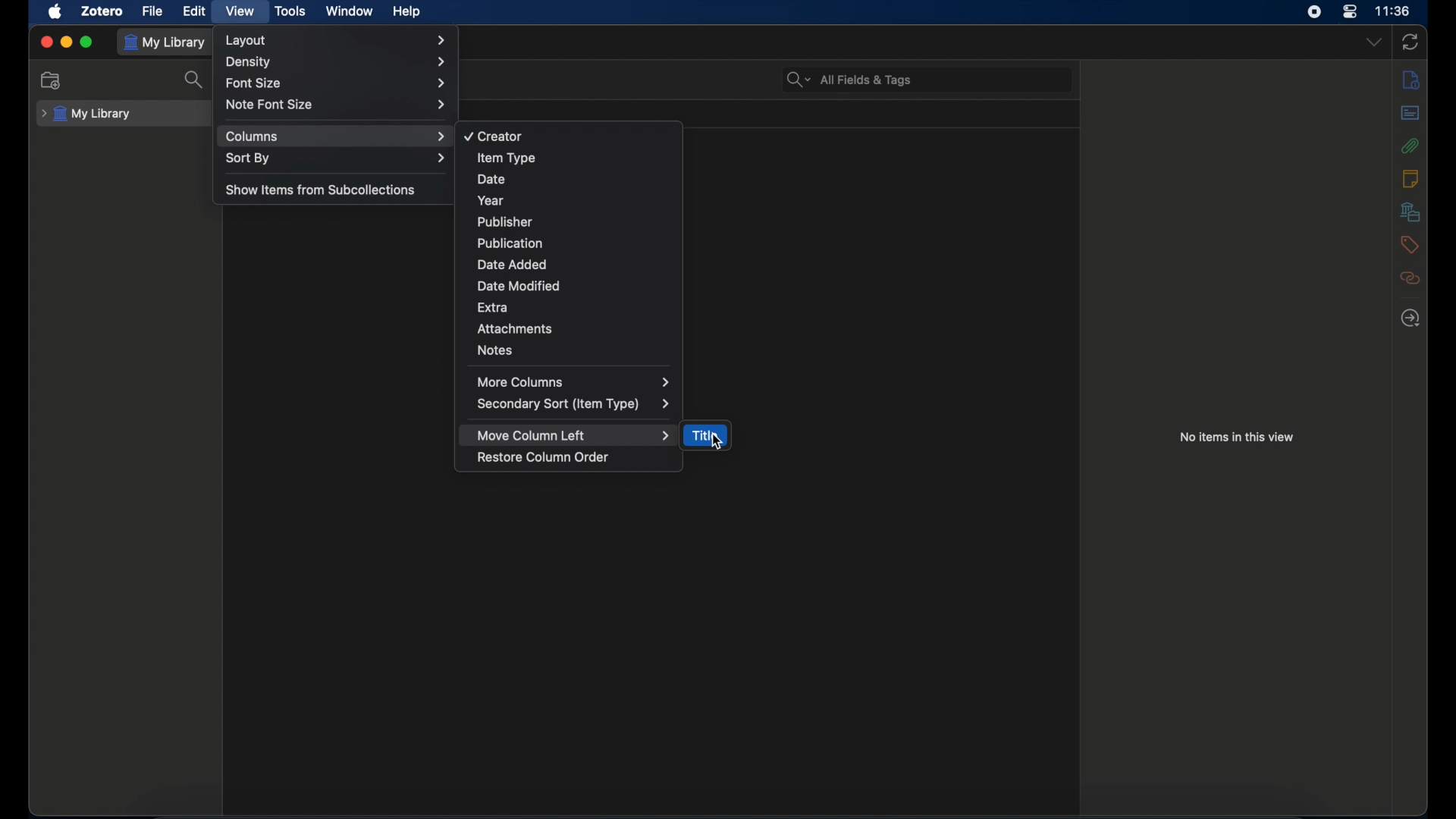 The image size is (1456, 819). I want to click on info, so click(1412, 80).